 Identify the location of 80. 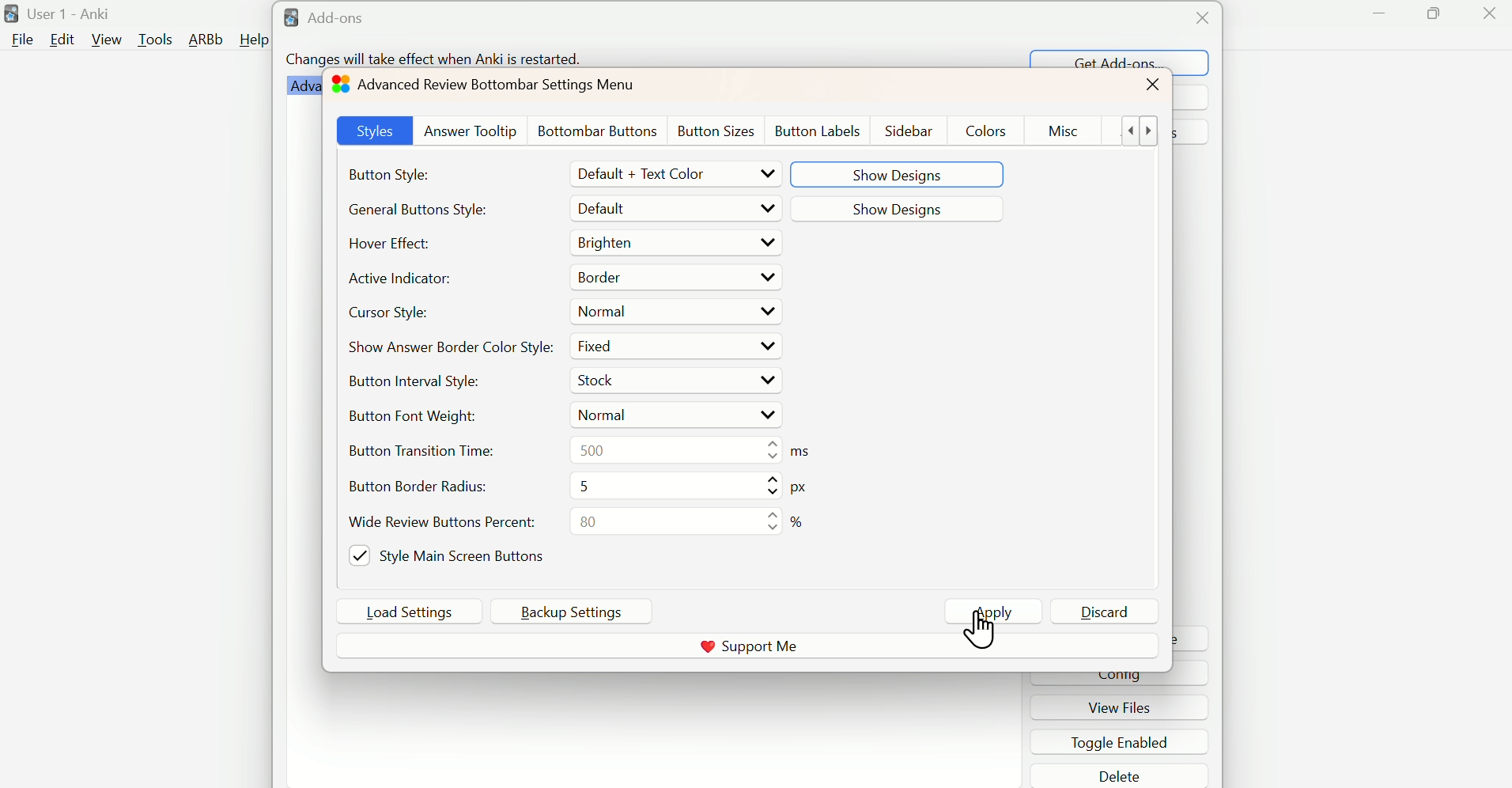
(609, 521).